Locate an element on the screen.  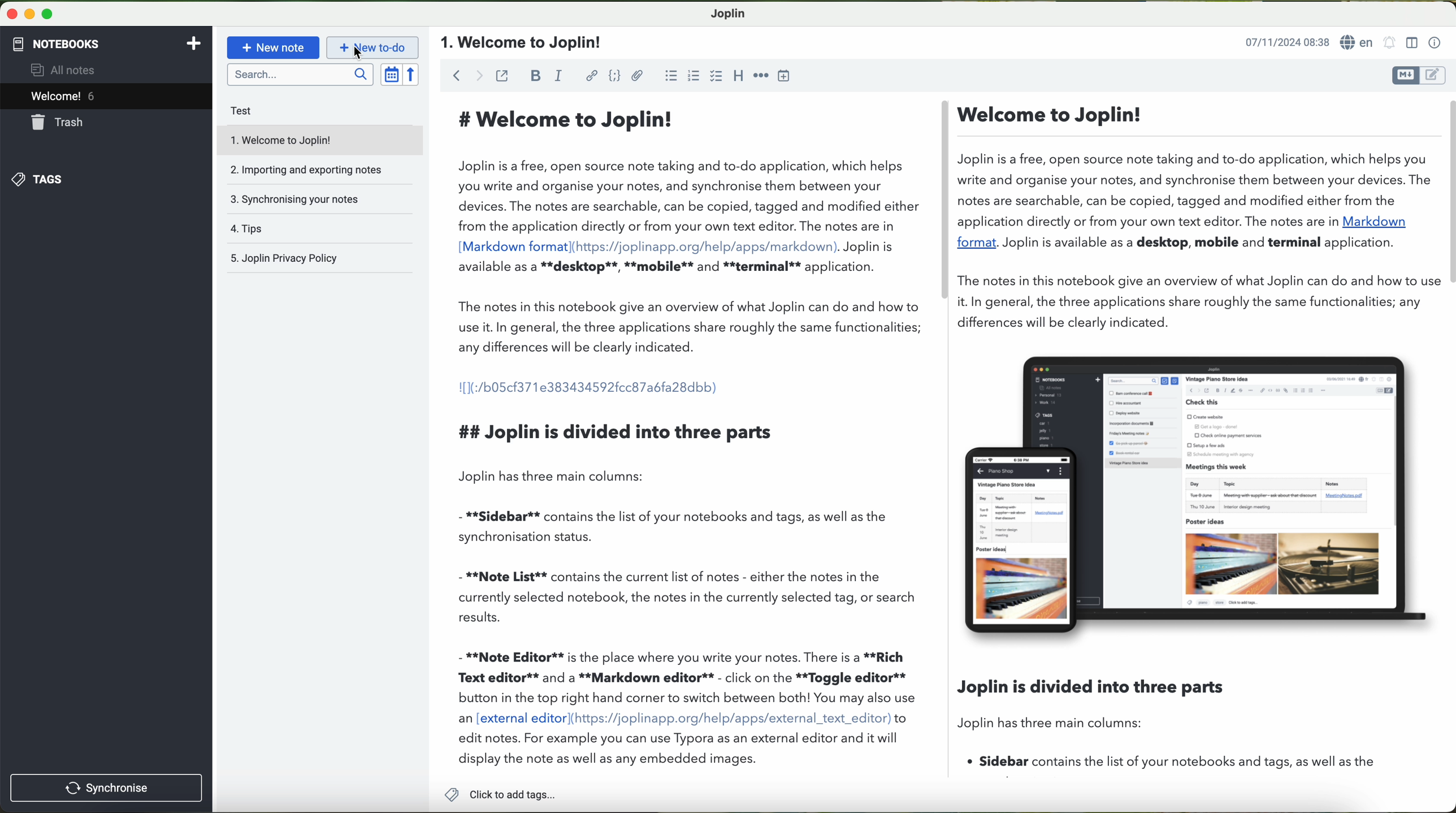
test is located at coordinates (255, 110).